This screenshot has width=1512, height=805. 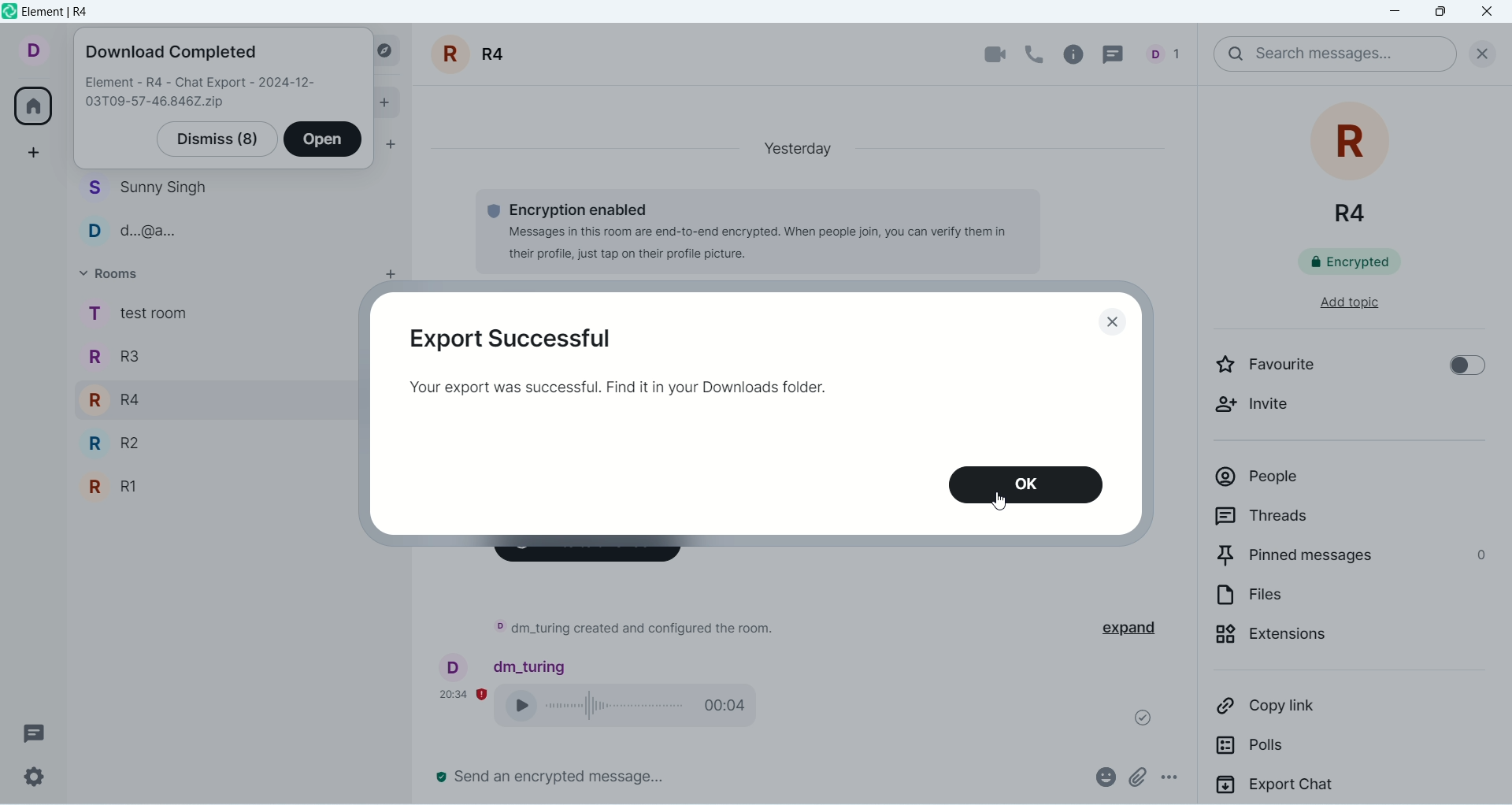 What do you see at coordinates (1169, 53) in the screenshot?
I see `people` at bounding box center [1169, 53].